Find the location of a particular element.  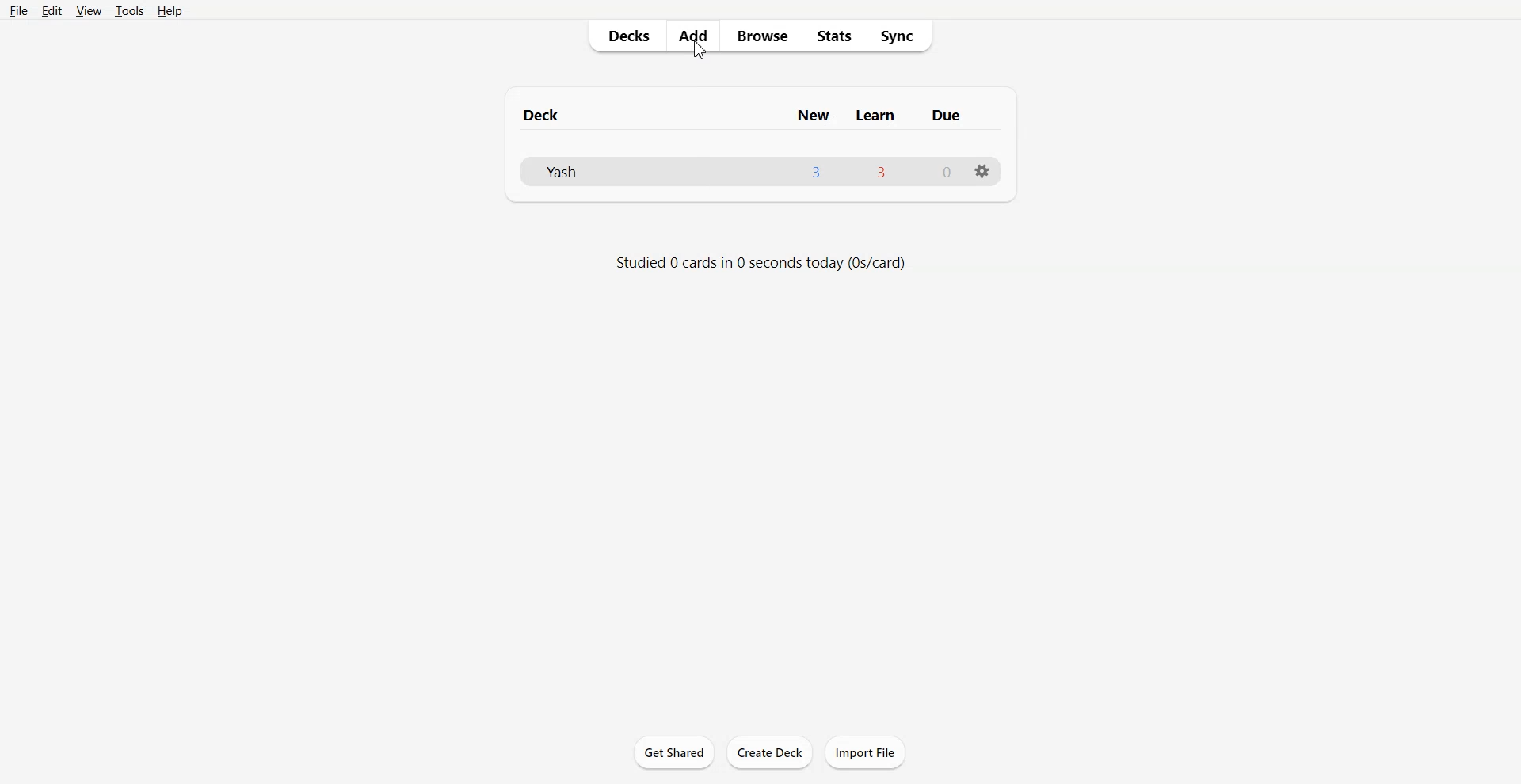

Text 1 is located at coordinates (564, 113).